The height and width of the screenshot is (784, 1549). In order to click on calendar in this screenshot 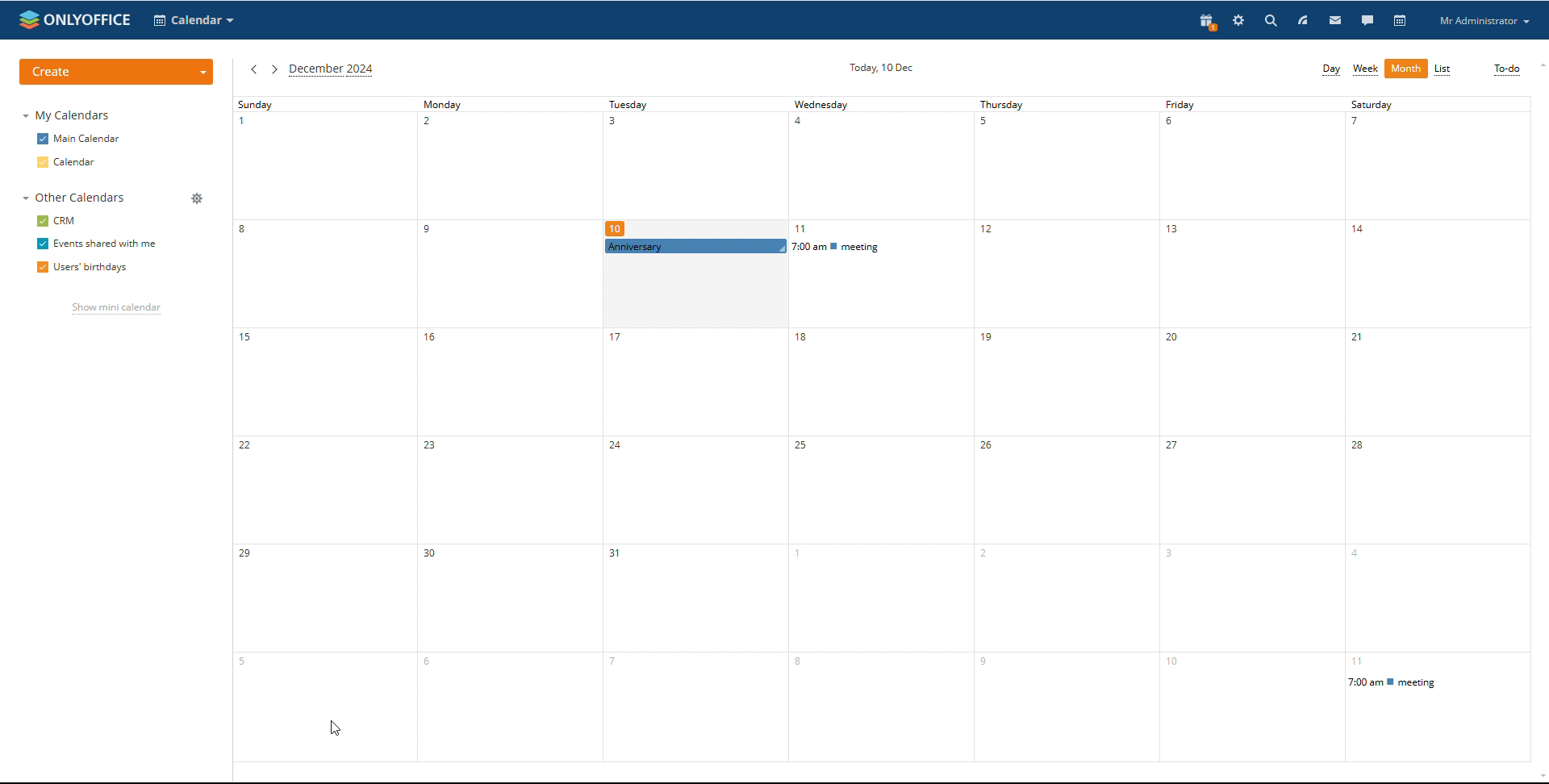, I will do `click(1401, 20)`.